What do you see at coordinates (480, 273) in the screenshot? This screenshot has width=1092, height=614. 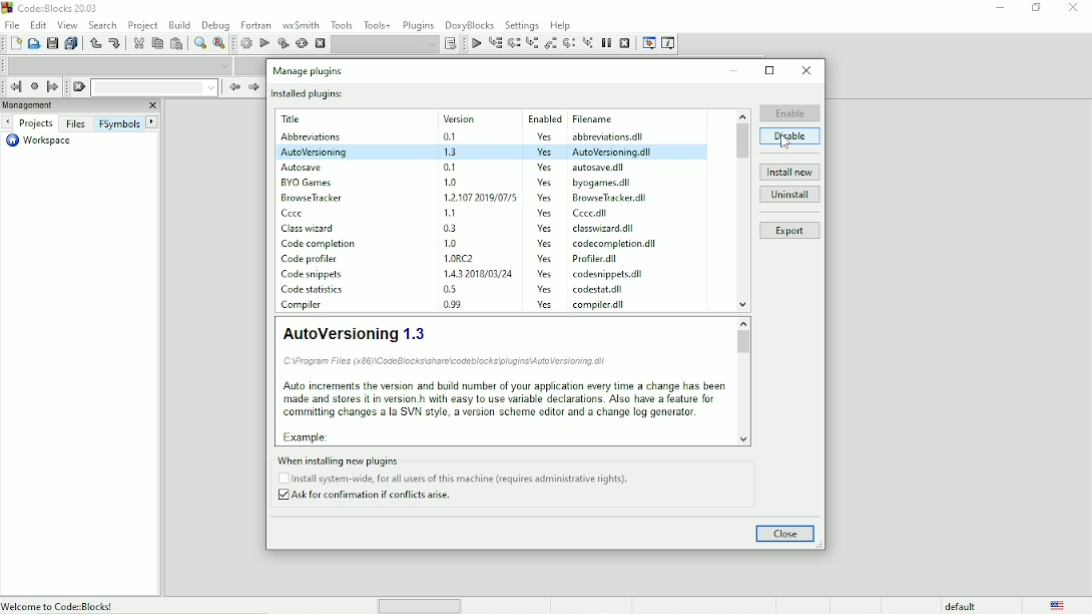 I see `1.4.3 2018/03/24` at bounding box center [480, 273].